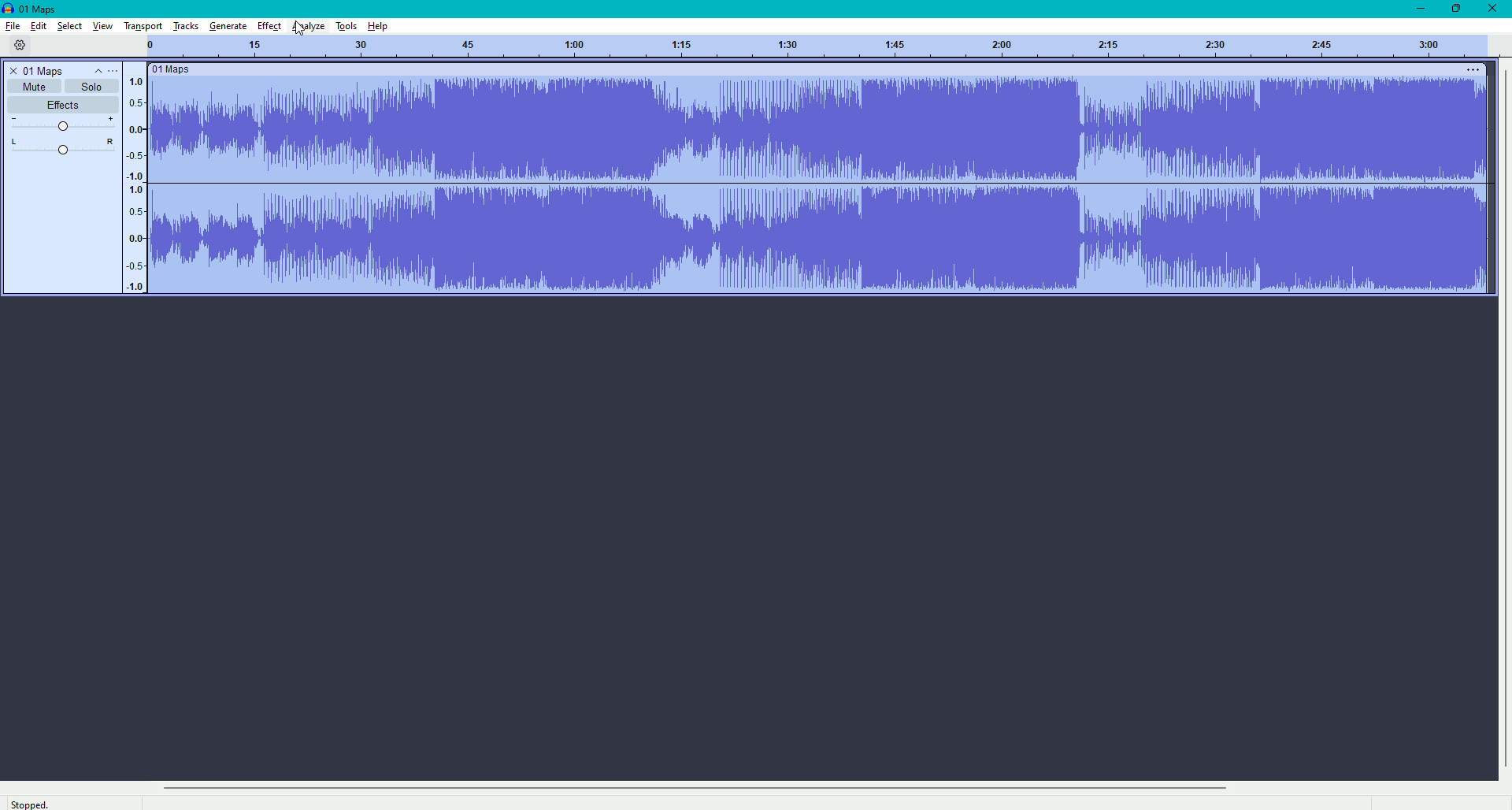 The height and width of the screenshot is (810, 1512). Describe the element at coordinates (226, 26) in the screenshot. I see `Generate` at that location.